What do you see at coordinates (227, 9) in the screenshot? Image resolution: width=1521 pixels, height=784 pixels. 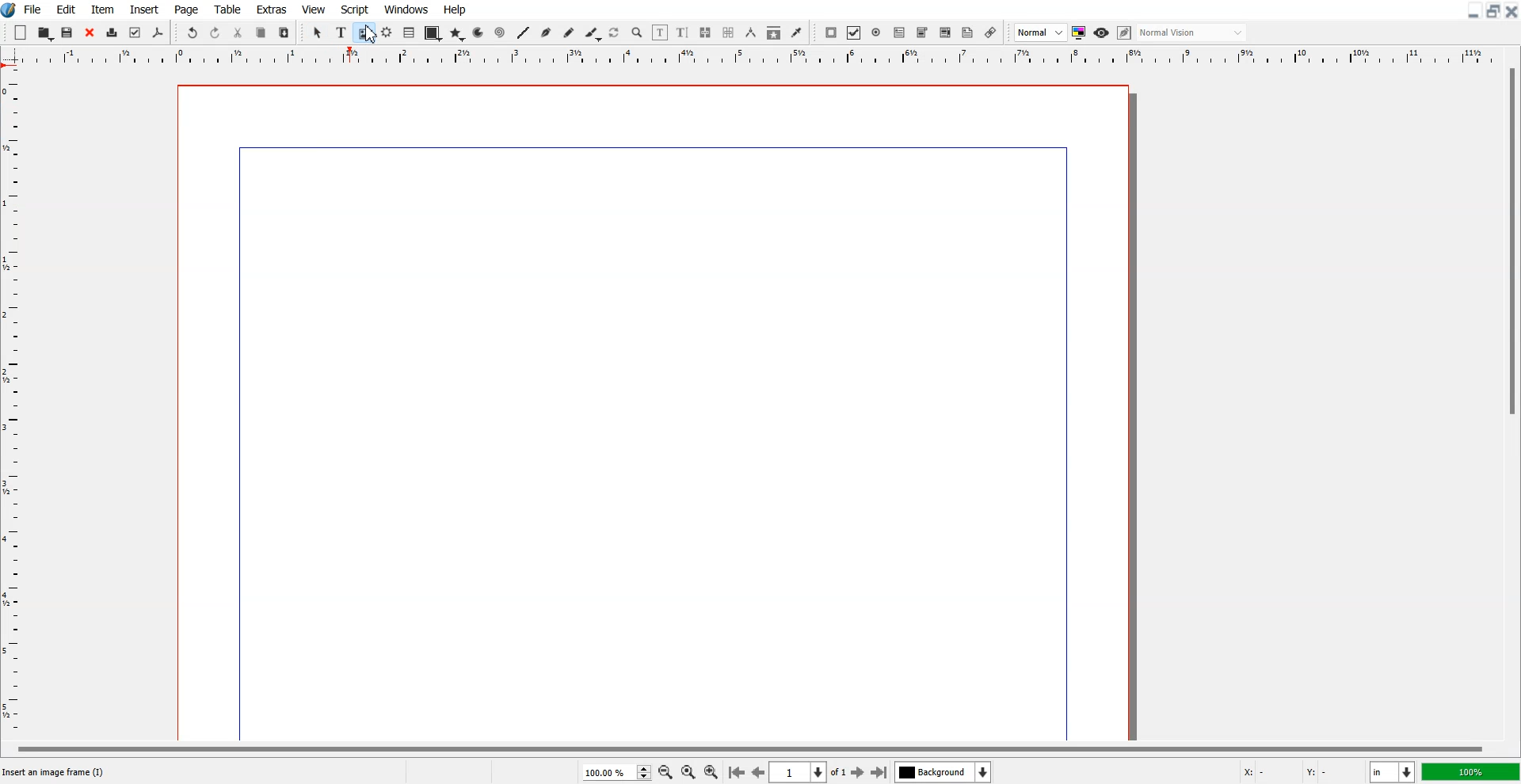 I see `Table` at bounding box center [227, 9].